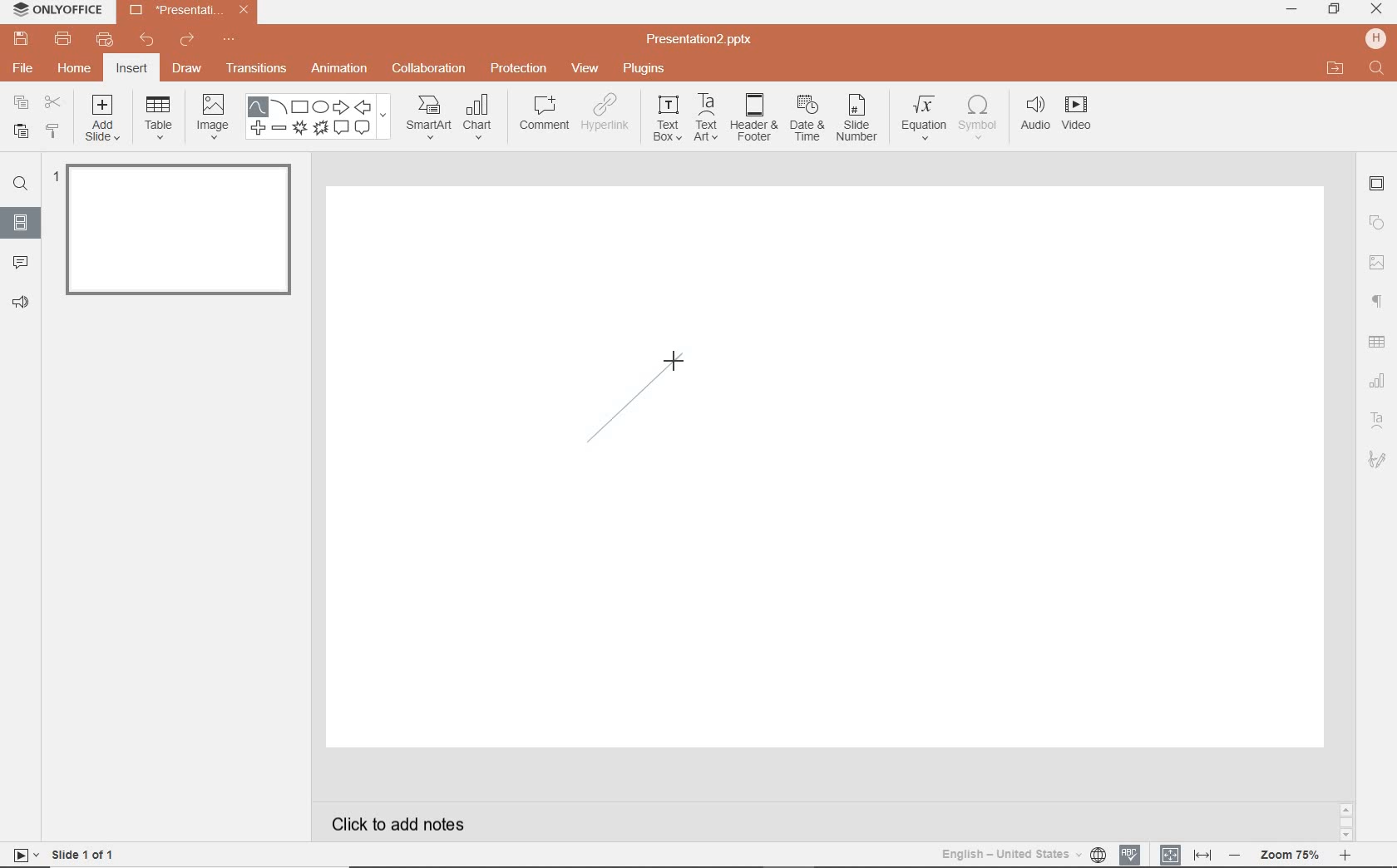 This screenshot has width=1397, height=868. Describe the element at coordinates (1378, 223) in the screenshot. I see `SHAPE SETTINGS` at that location.